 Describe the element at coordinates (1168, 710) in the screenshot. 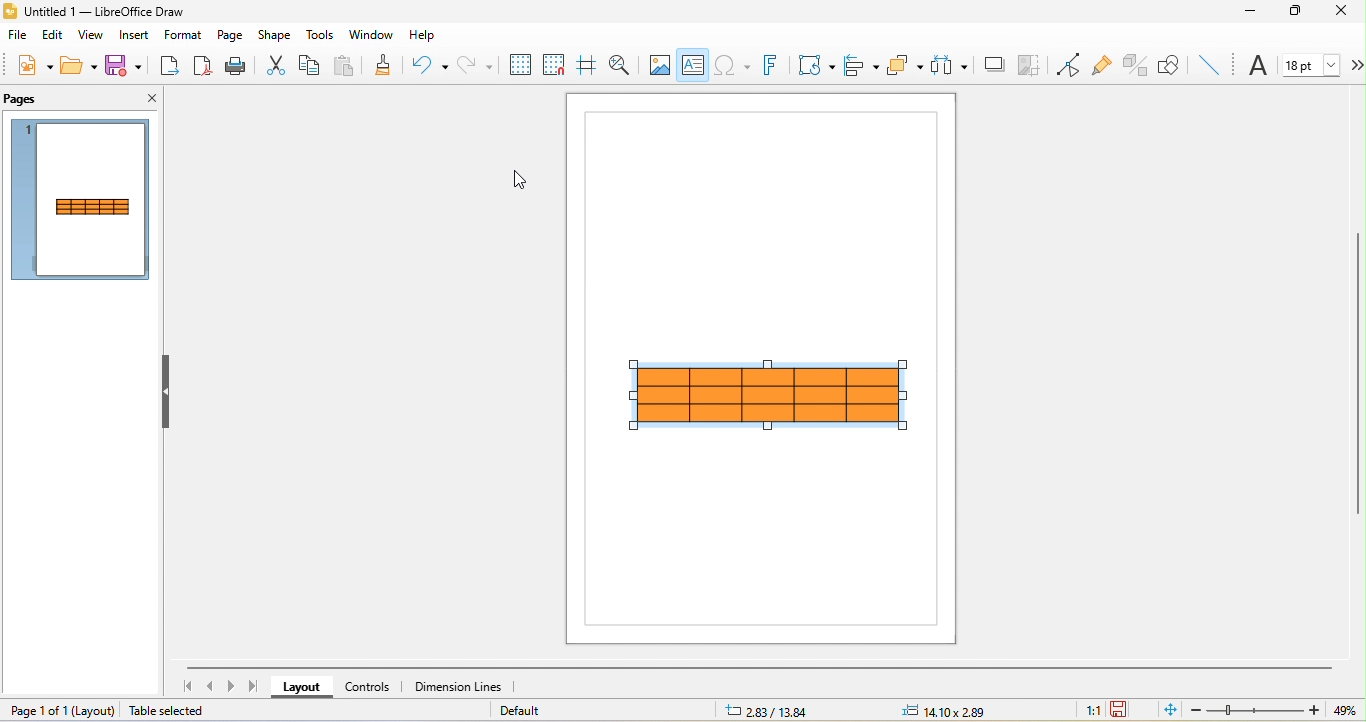

I see `fit page to current window` at that location.